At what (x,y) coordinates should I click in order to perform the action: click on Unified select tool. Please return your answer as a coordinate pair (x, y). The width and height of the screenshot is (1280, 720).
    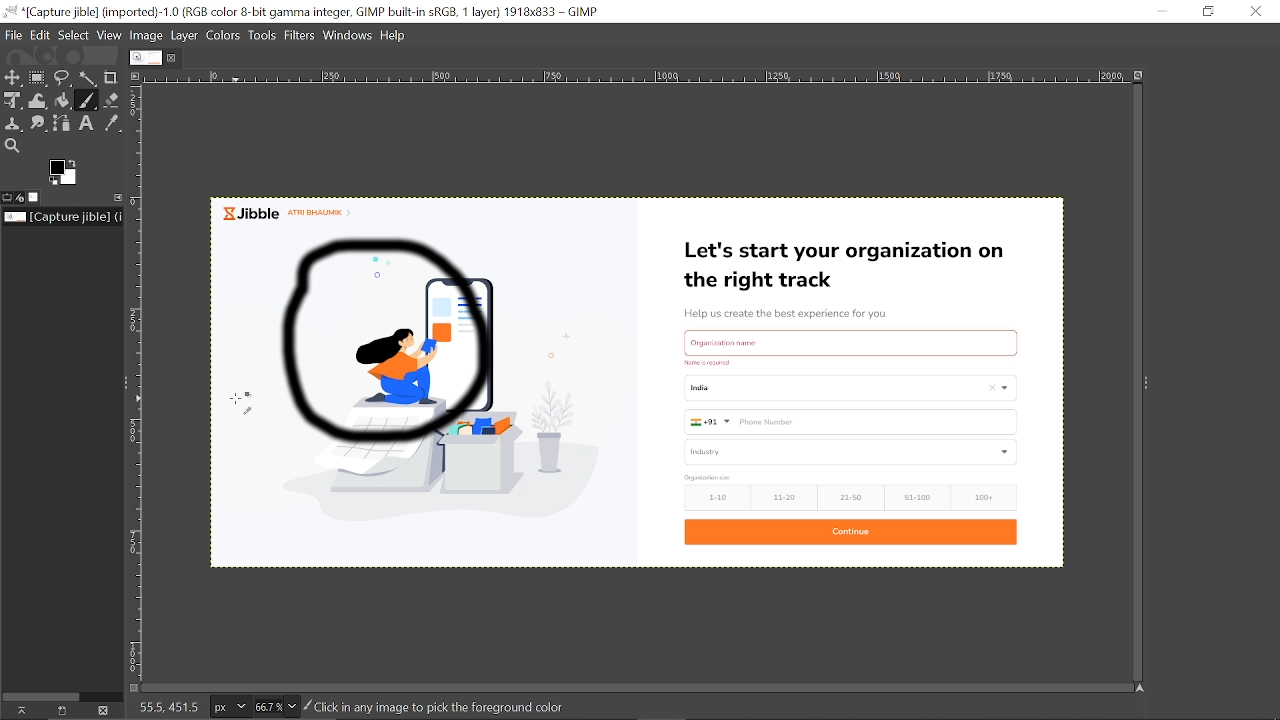
    Looking at the image, I should click on (13, 101).